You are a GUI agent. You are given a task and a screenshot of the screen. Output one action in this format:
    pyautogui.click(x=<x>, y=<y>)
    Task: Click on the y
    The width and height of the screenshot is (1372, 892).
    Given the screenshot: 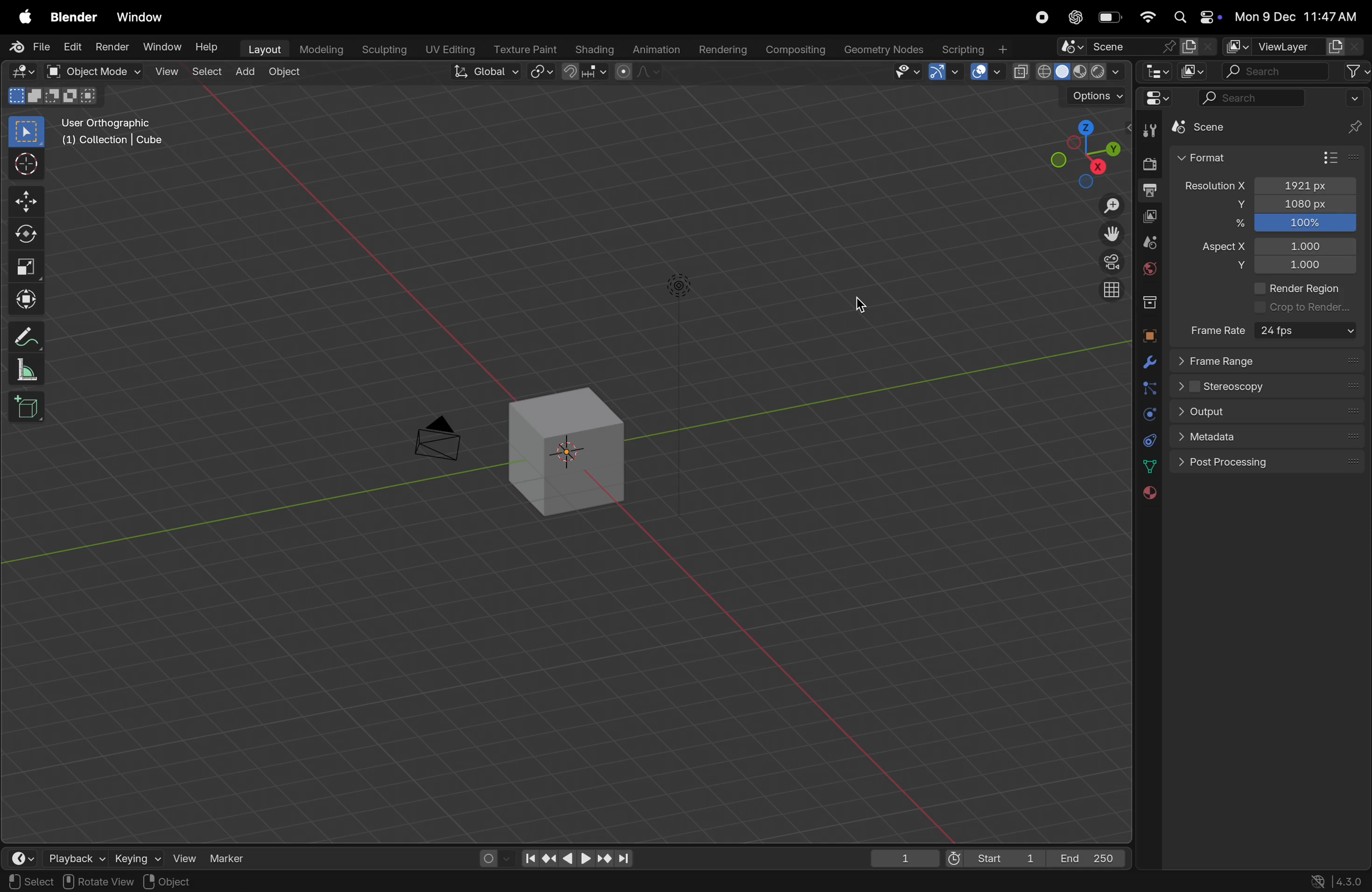 What is the action you would take?
    pyautogui.click(x=1234, y=205)
    